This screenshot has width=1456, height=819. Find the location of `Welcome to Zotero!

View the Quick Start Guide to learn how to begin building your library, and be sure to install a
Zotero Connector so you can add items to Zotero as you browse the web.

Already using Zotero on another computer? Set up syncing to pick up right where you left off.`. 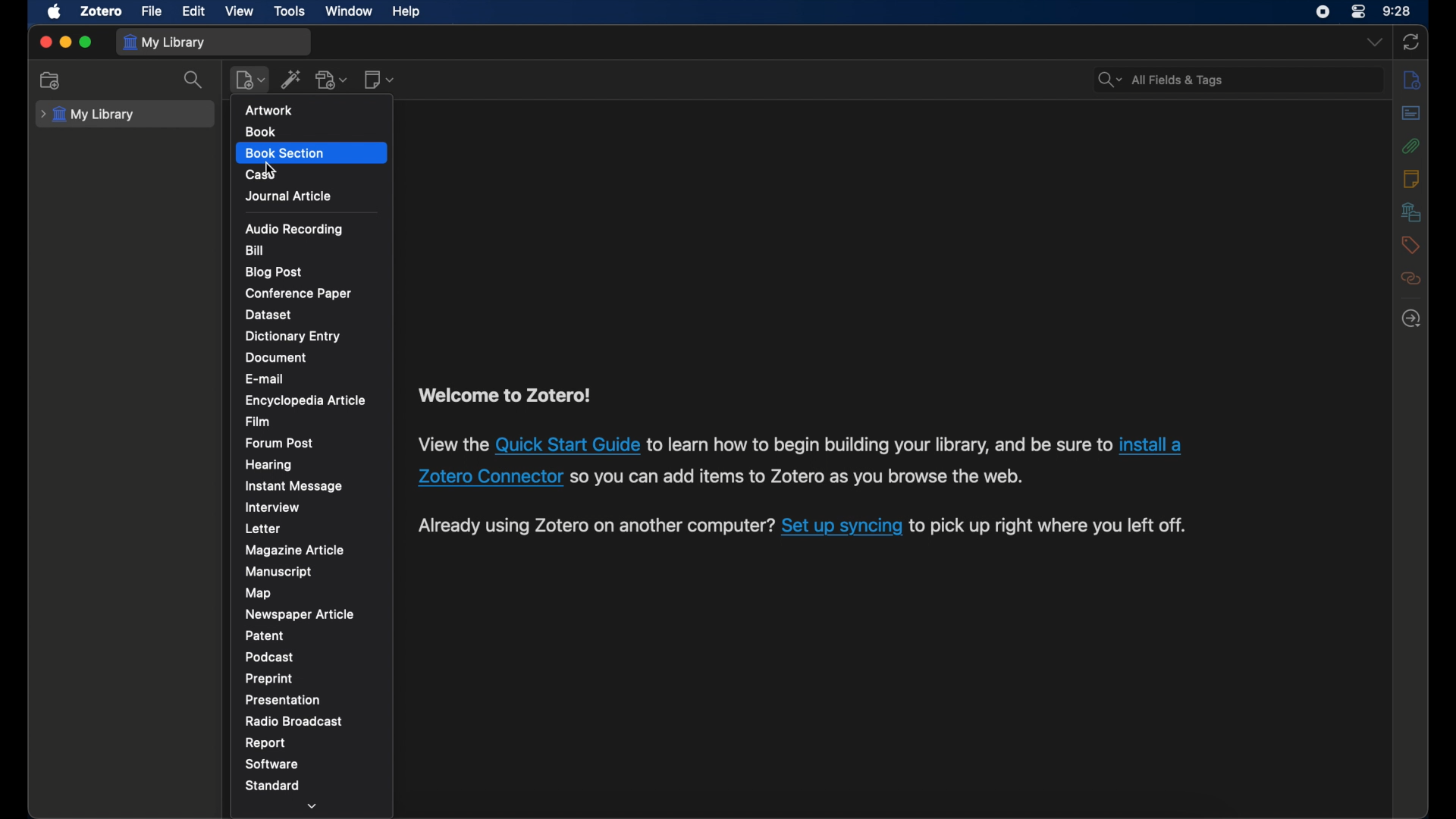

Welcome to Zotero!

View the Quick Start Guide to learn how to begin building your library, and be sure to install a
Zotero Connector so you can add items to Zotero as you browse the web.

Already using Zotero on another computer? Set up syncing to pick up right where you left off. is located at coordinates (817, 464).